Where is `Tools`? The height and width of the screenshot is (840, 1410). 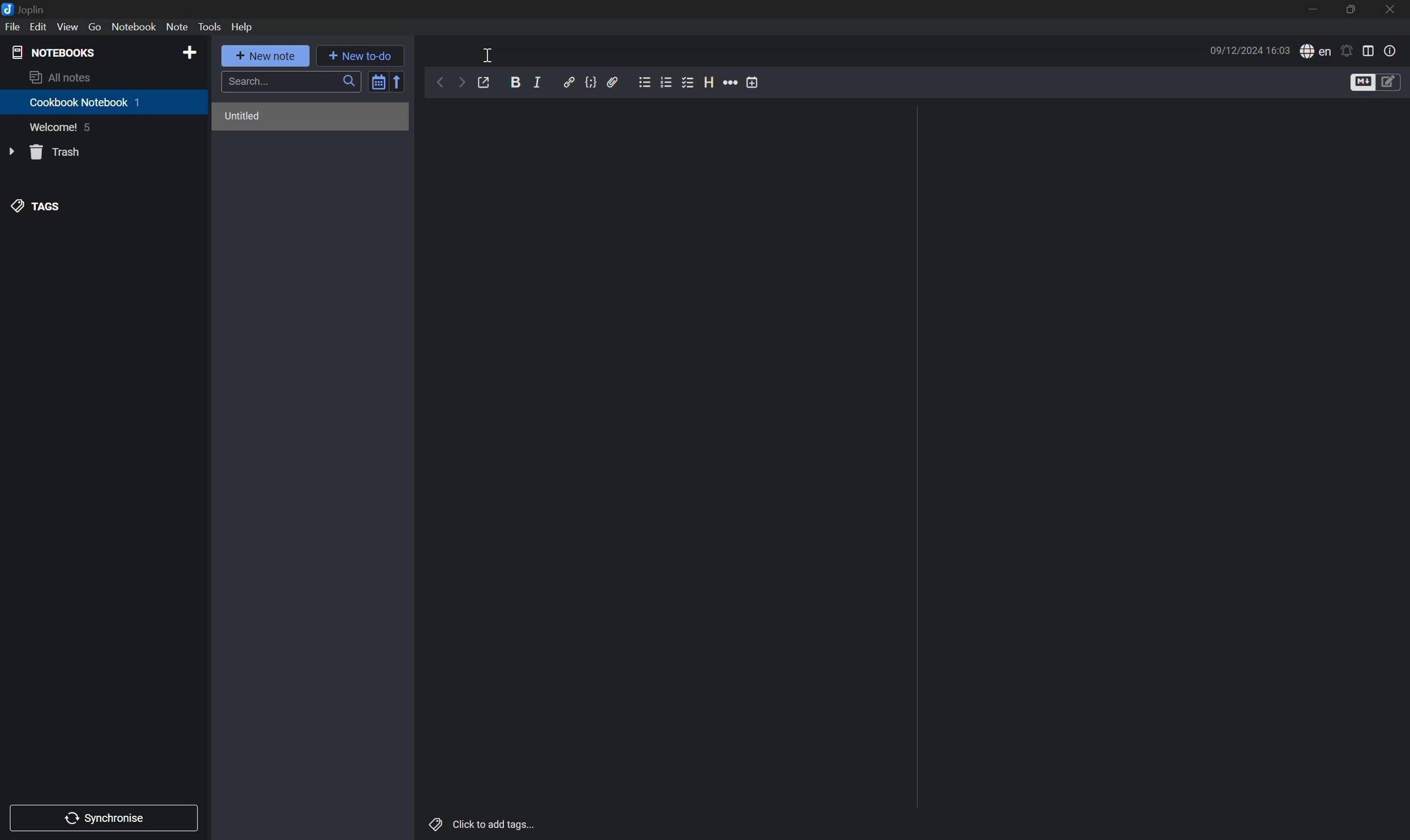
Tools is located at coordinates (210, 27).